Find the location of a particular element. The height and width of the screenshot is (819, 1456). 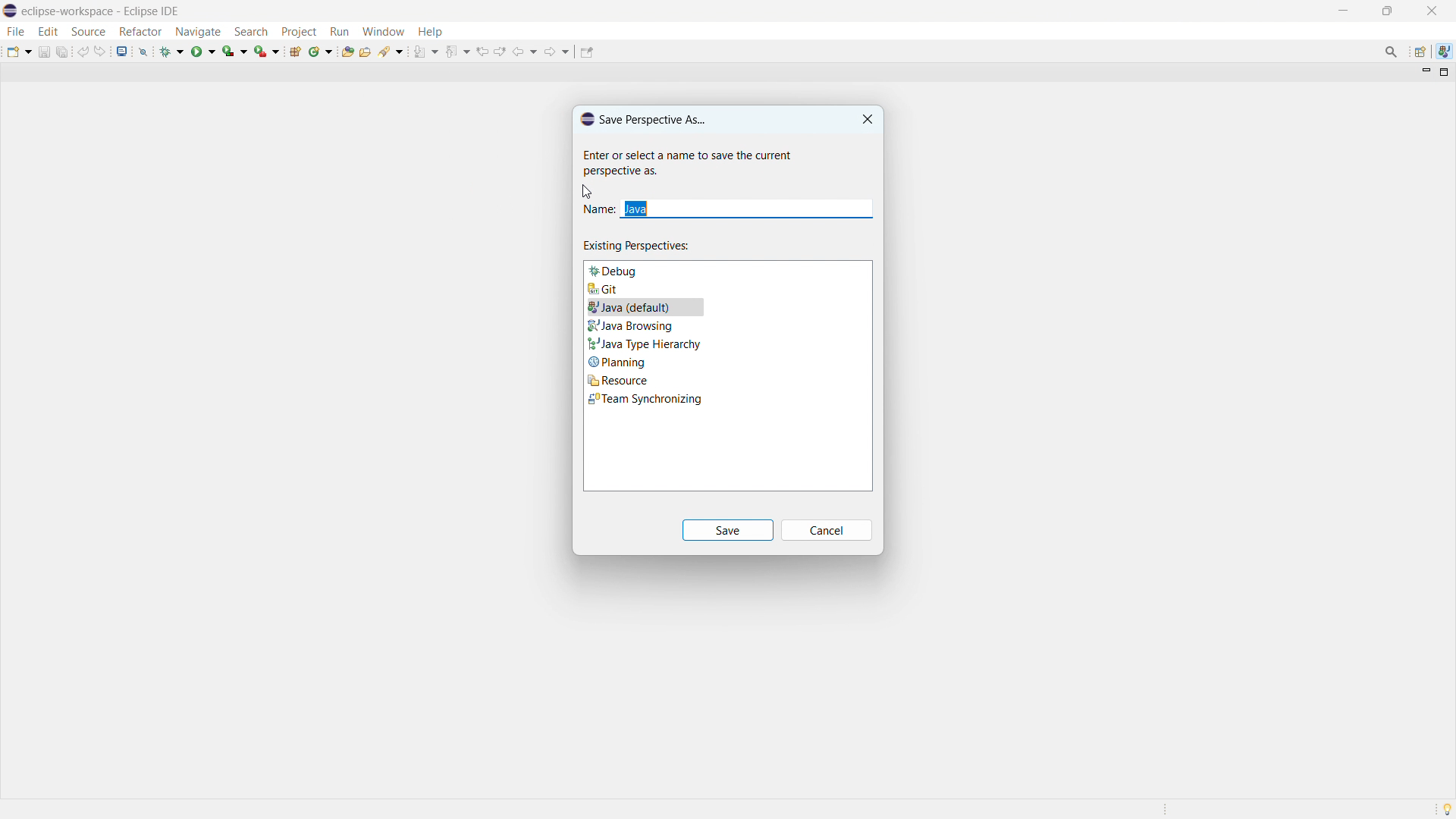

open perspective is located at coordinates (1420, 52).